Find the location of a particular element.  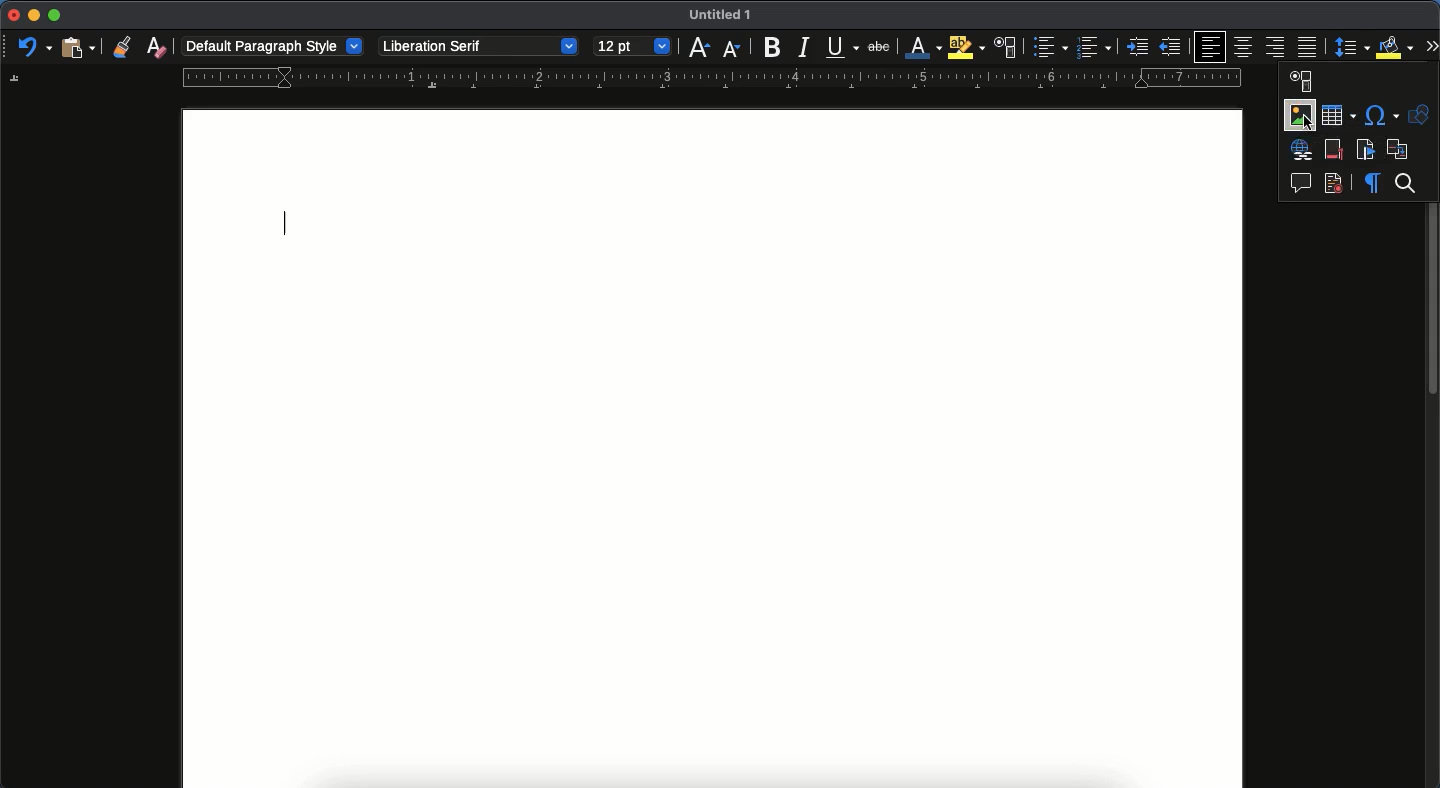

hyperlink is located at coordinates (1298, 150).